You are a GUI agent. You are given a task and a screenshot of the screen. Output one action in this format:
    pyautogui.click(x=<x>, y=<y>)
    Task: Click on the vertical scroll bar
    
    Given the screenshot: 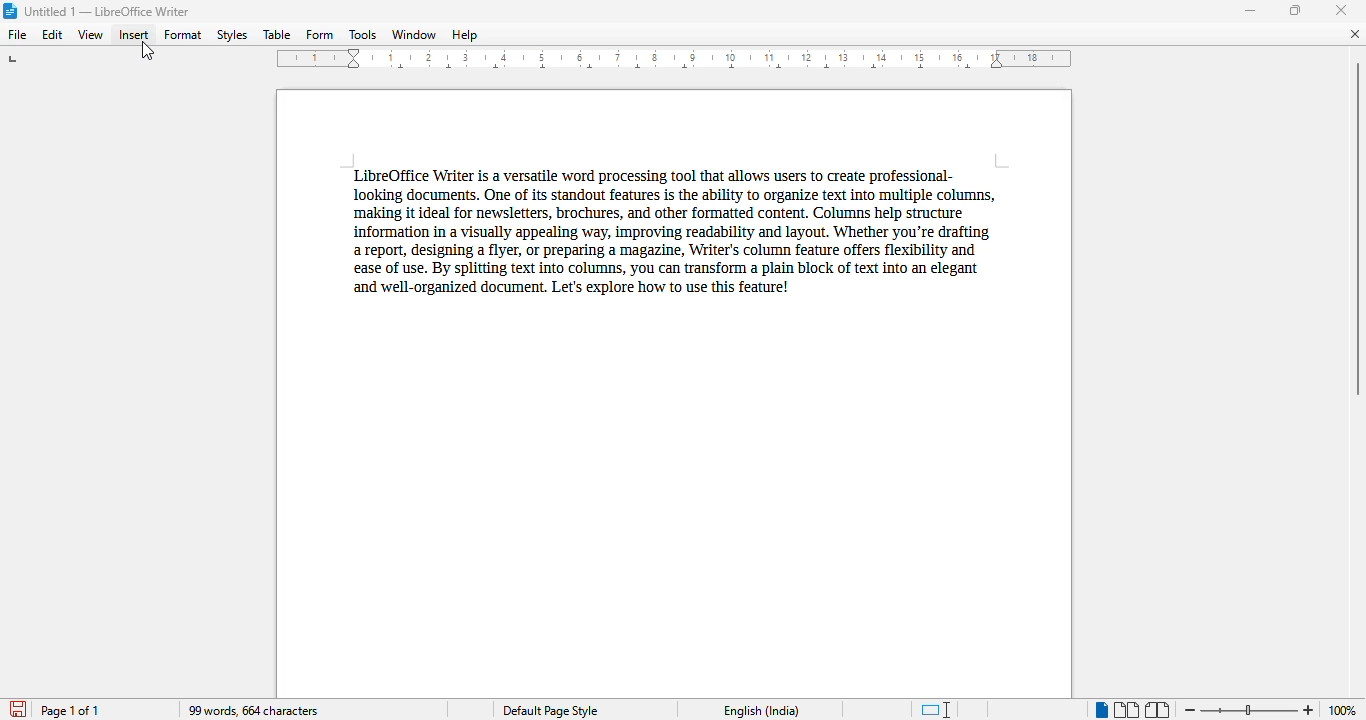 What is the action you would take?
    pyautogui.click(x=1357, y=227)
    